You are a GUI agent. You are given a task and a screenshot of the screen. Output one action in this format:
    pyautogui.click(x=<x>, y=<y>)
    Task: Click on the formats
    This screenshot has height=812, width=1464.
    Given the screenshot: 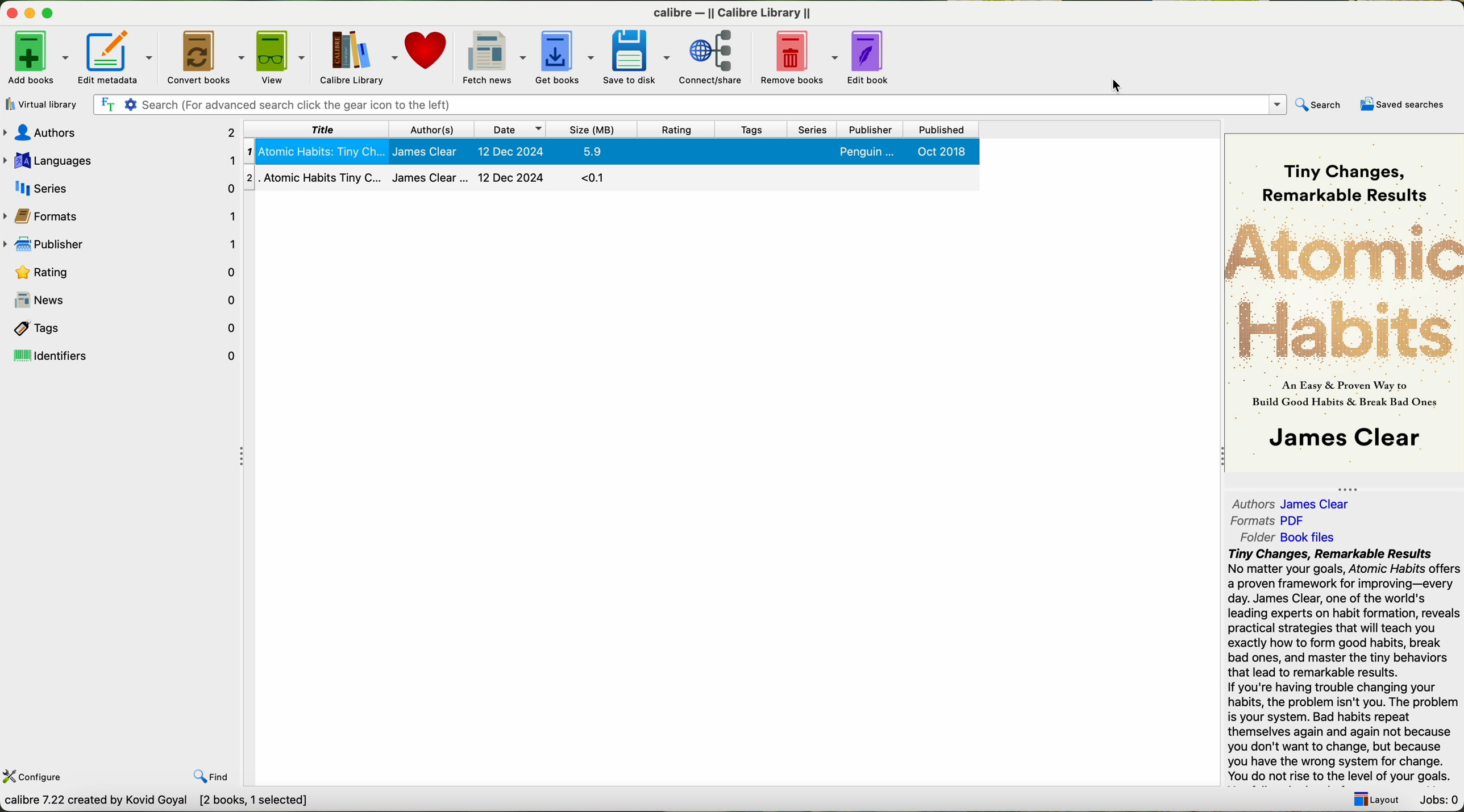 What is the action you would take?
    pyautogui.click(x=1272, y=521)
    